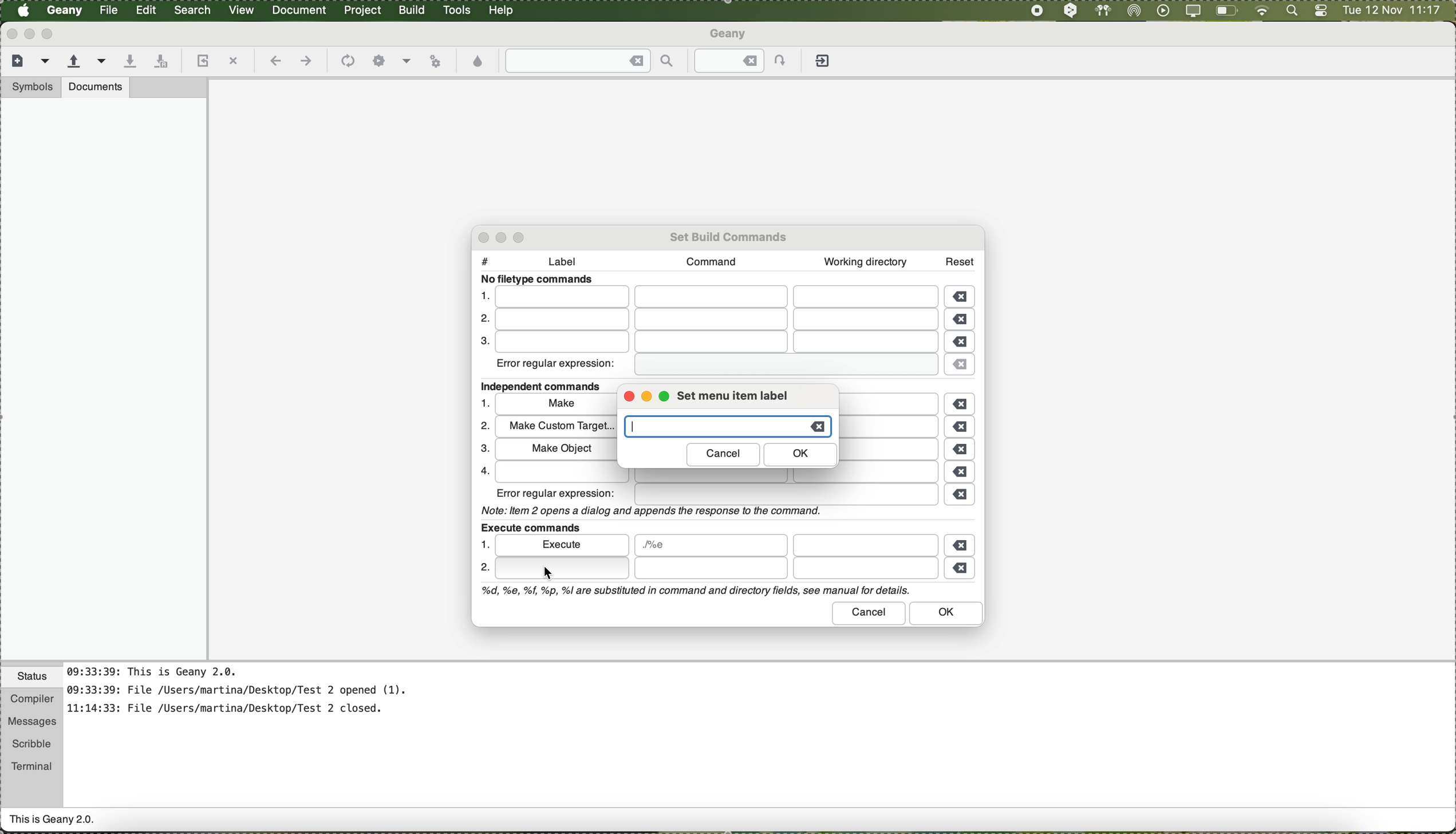 The image size is (1456, 834). What do you see at coordinates (145, 9) in the screenshot?
I see `edit` at bounding box center [145, 9].